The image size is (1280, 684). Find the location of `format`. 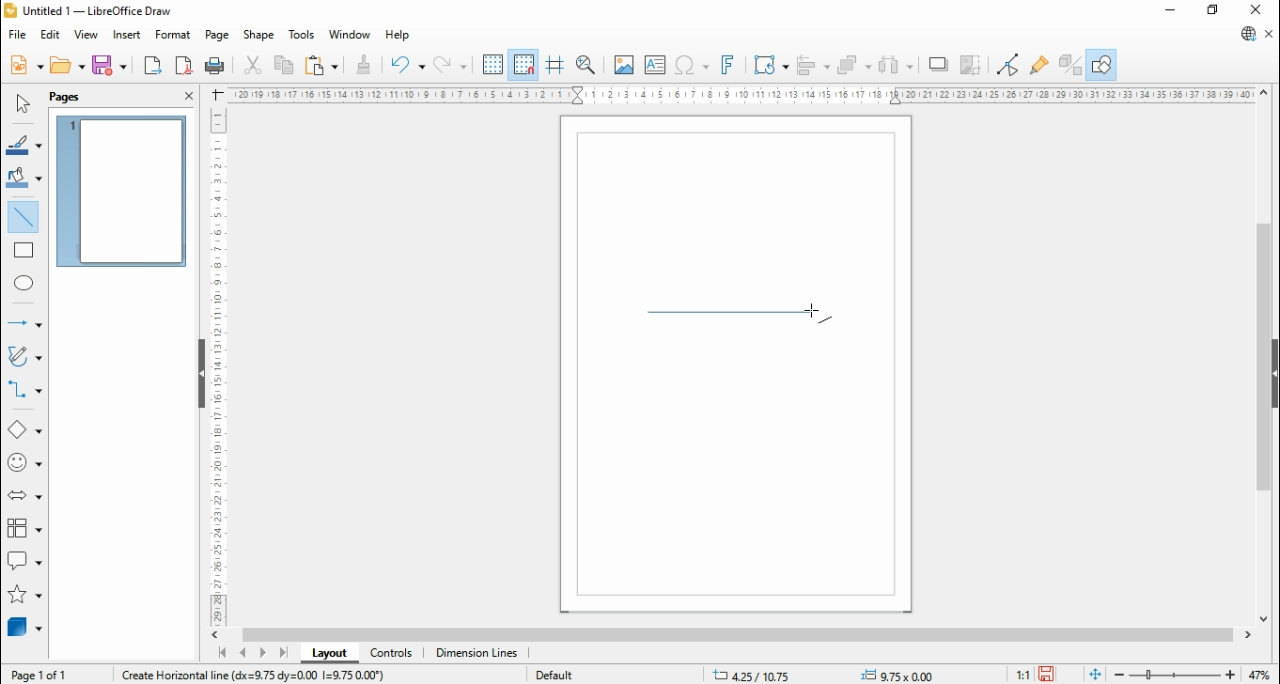

format is located at coordinates (174, 35).